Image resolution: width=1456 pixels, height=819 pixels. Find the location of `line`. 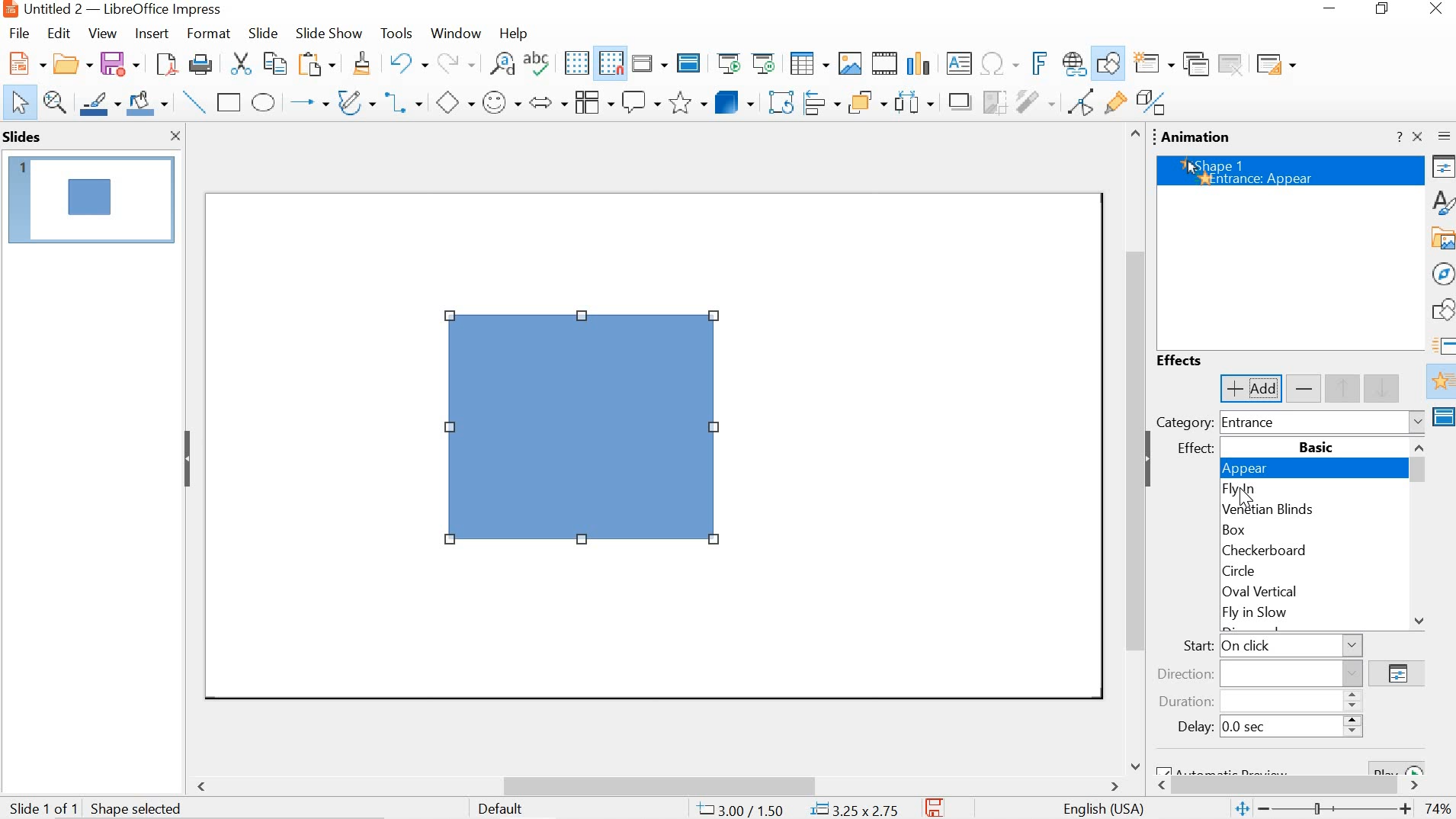

line is located at coordinates (192, 101).